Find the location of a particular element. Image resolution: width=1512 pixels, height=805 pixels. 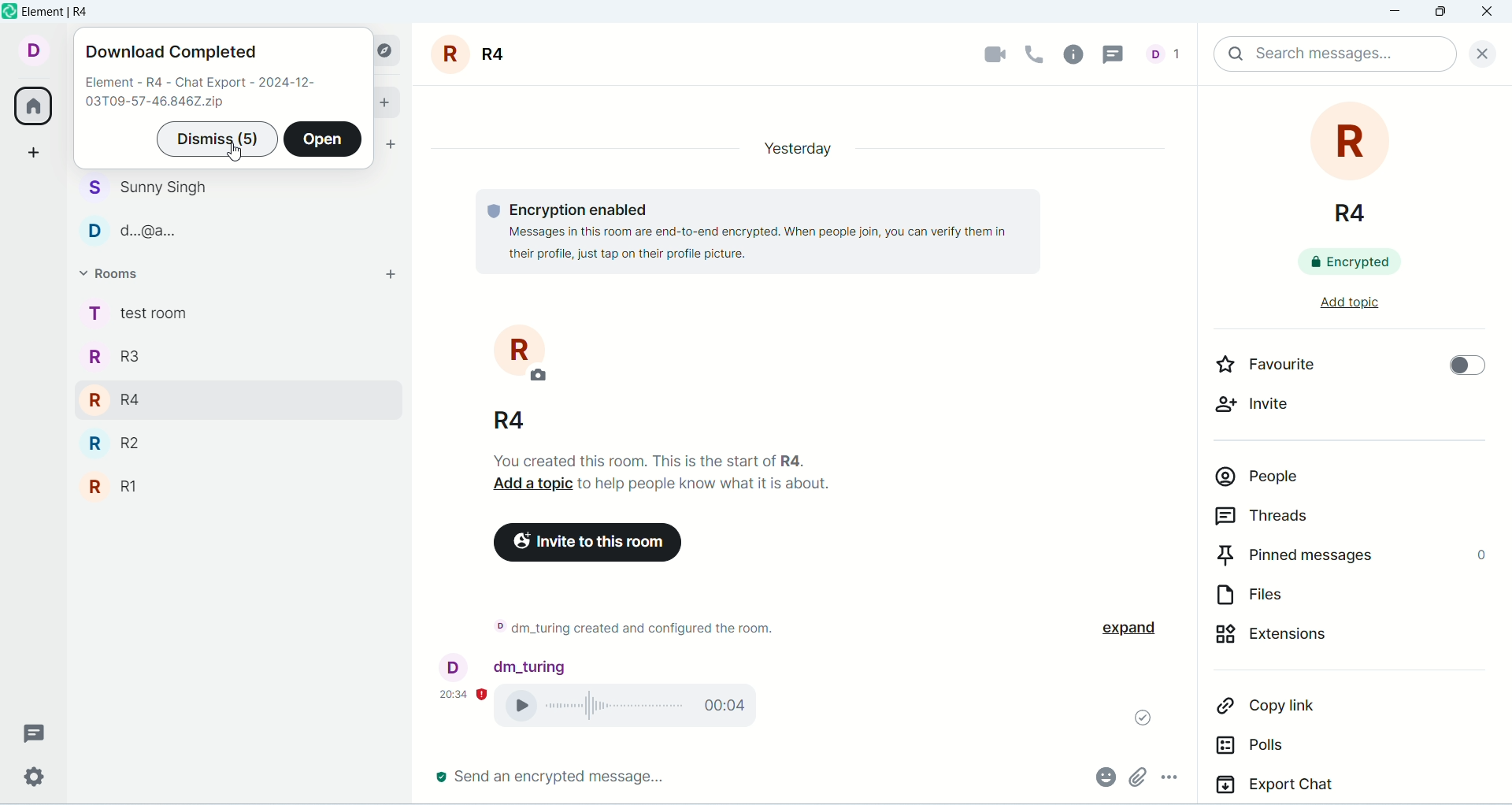

threads is located at coordinates (1321, 519).